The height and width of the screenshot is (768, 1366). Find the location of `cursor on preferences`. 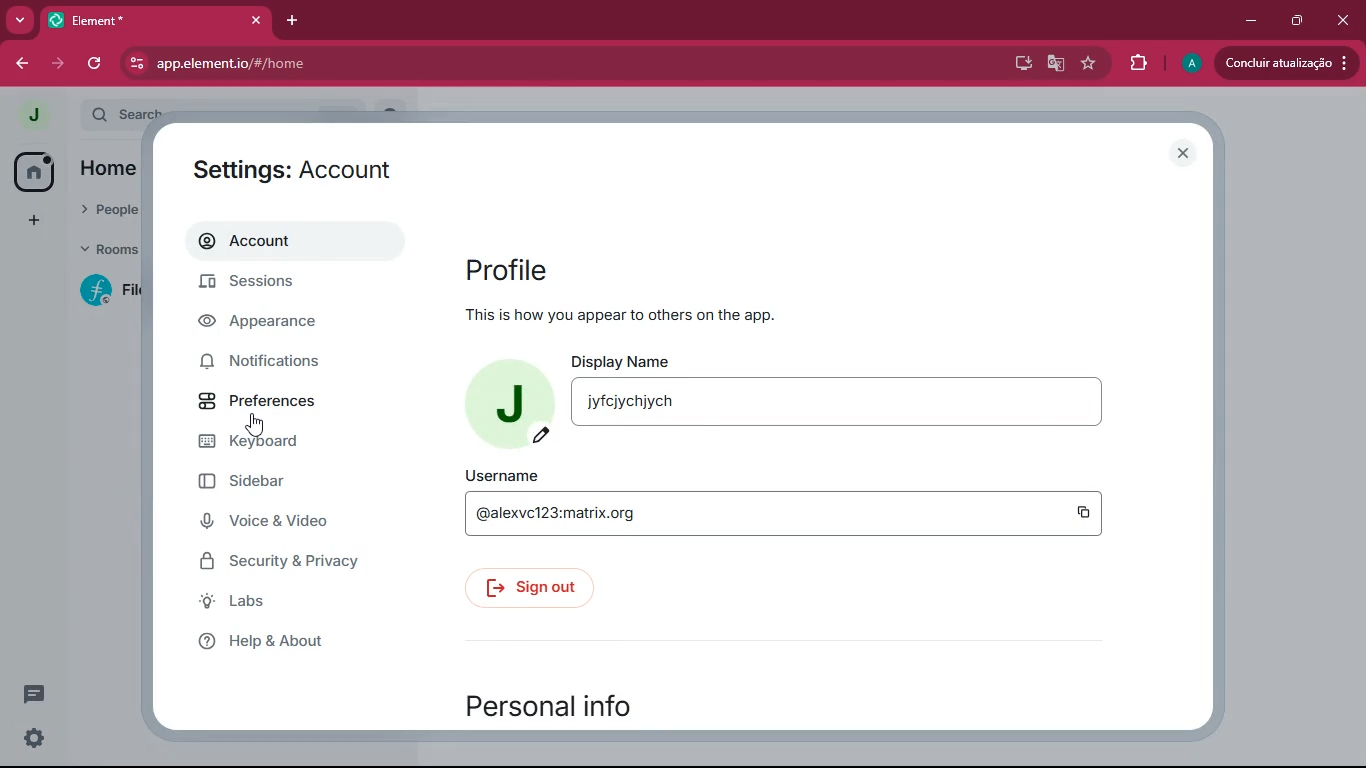

cursor on preferences is located at coordinates (256, 422).